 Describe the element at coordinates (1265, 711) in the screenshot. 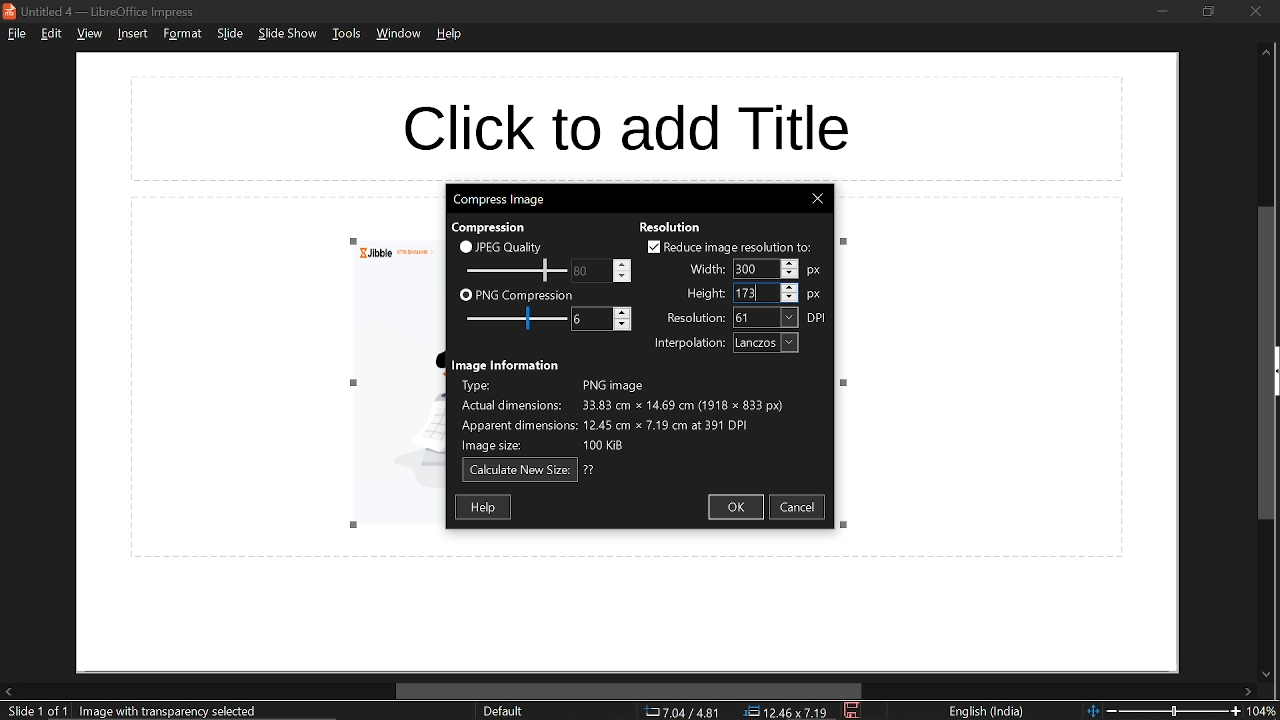

I see `current zoom` at that location.